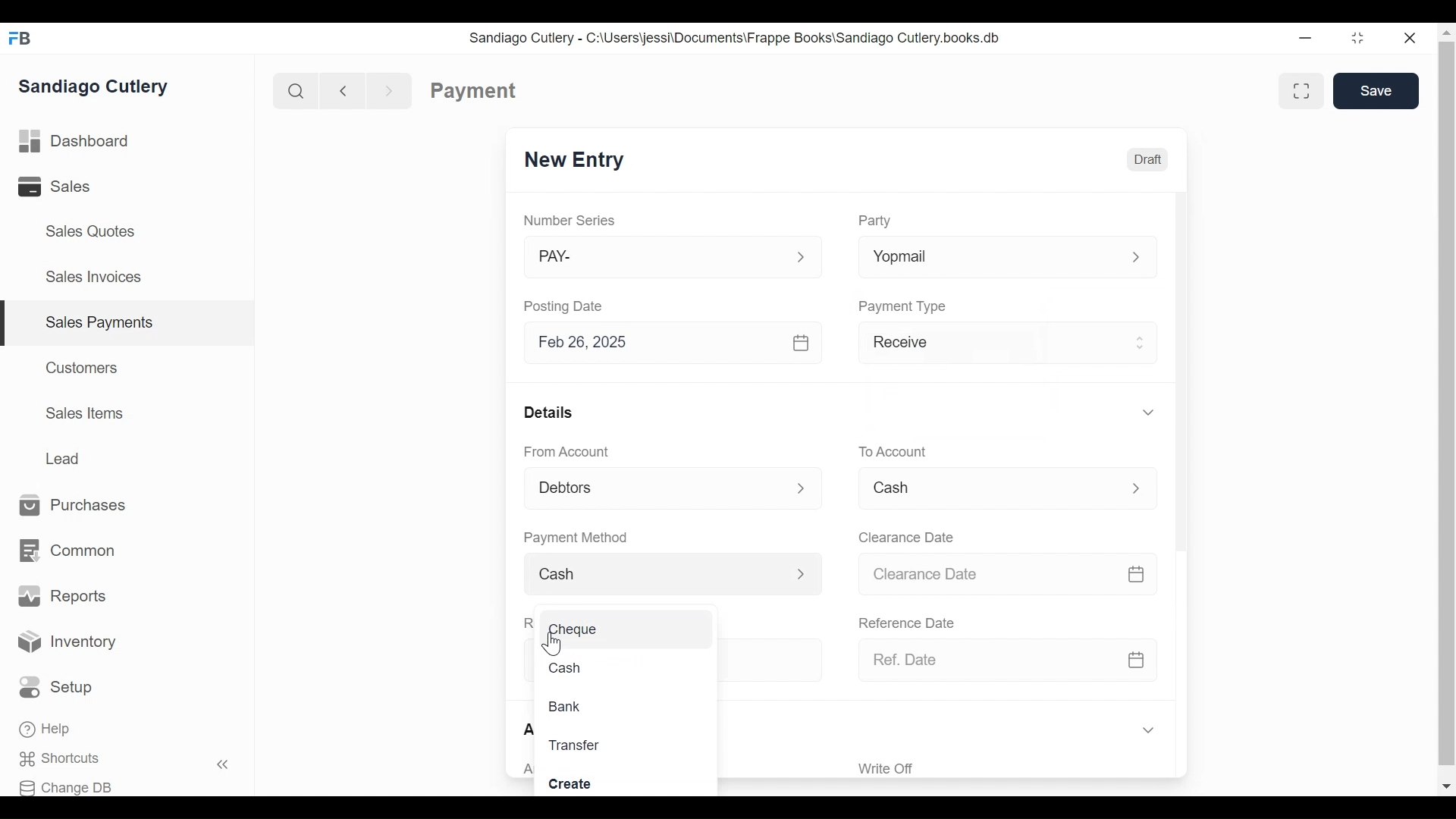 Image resolution: width=1456 pixels, height=819 pixels. Describe the element at coordinates (93, 278) in the screenshot. I see `Sales Invoices` at that location.